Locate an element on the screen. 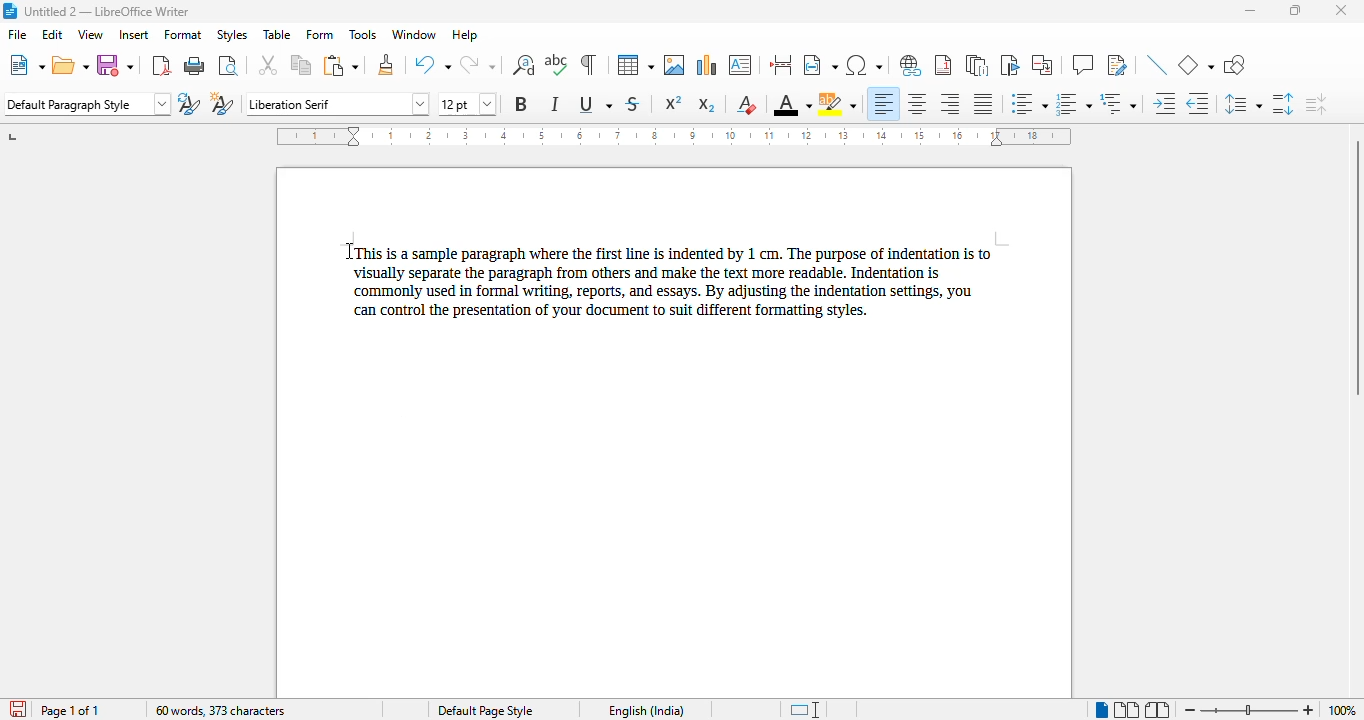 The image size is (1364, 720). maximize is located at coordinates (1296, 10).